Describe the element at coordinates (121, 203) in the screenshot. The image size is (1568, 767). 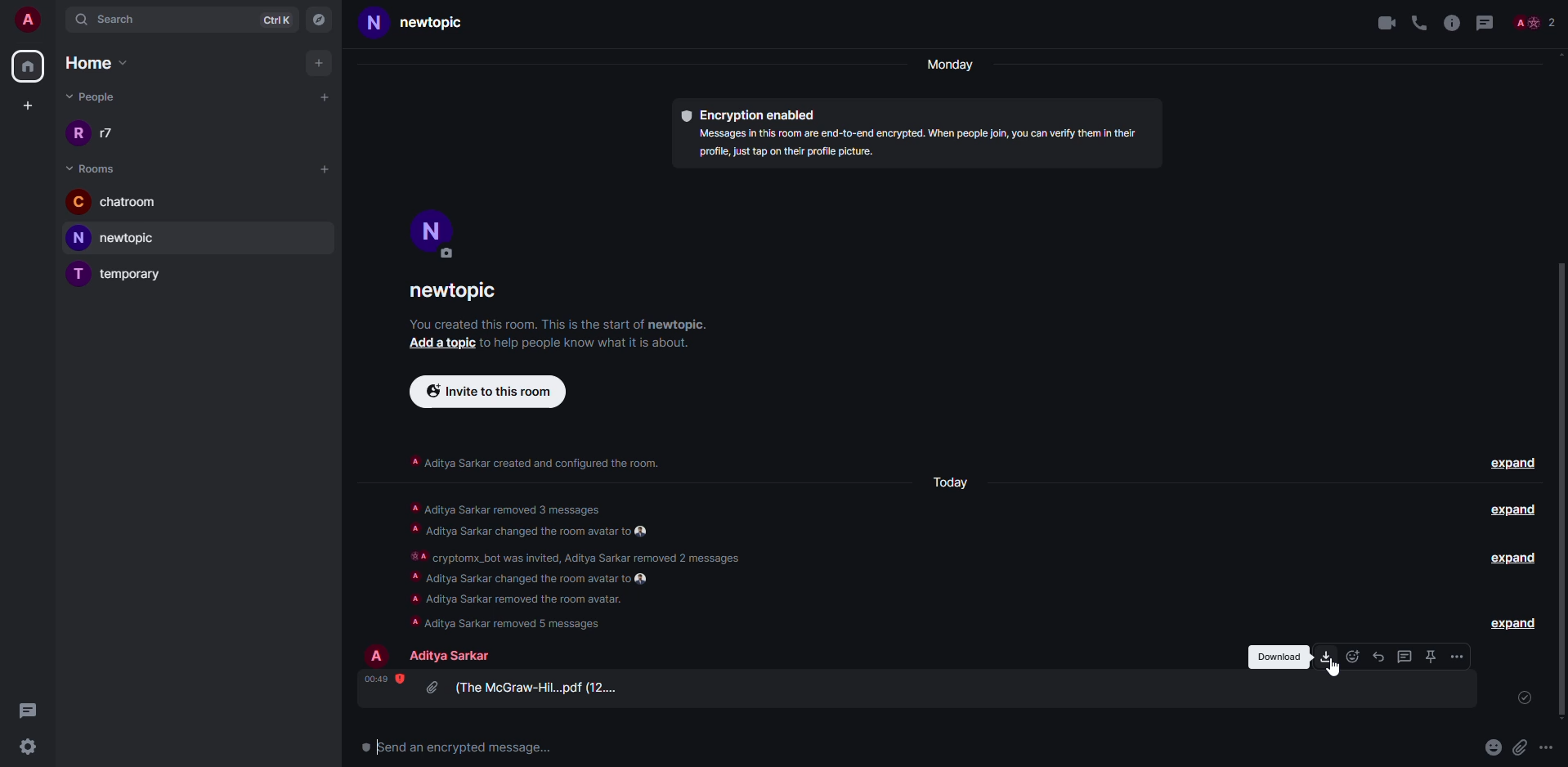
I see `room` at that location.